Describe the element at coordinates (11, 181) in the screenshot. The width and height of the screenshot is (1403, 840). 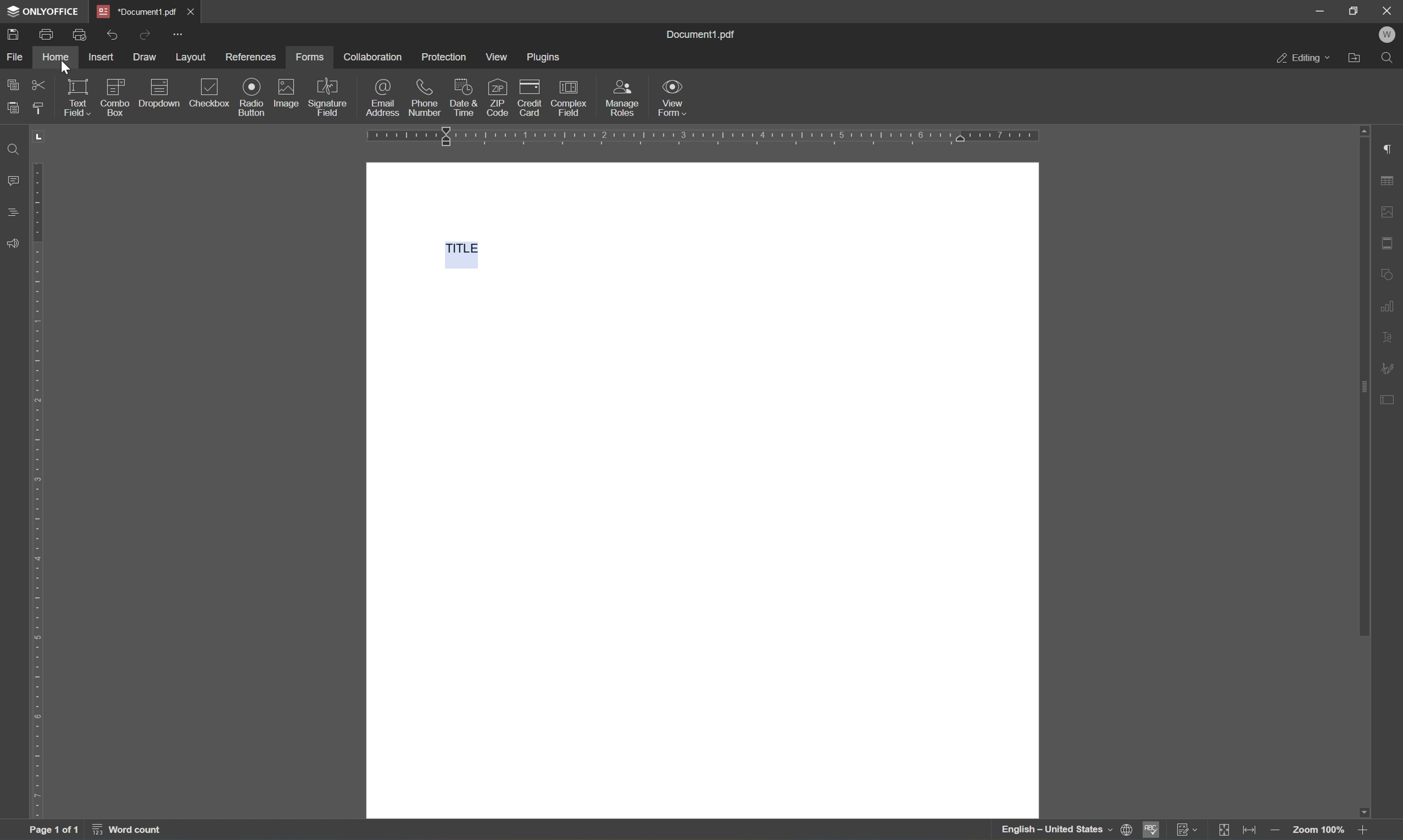
I see `comments` at that location.